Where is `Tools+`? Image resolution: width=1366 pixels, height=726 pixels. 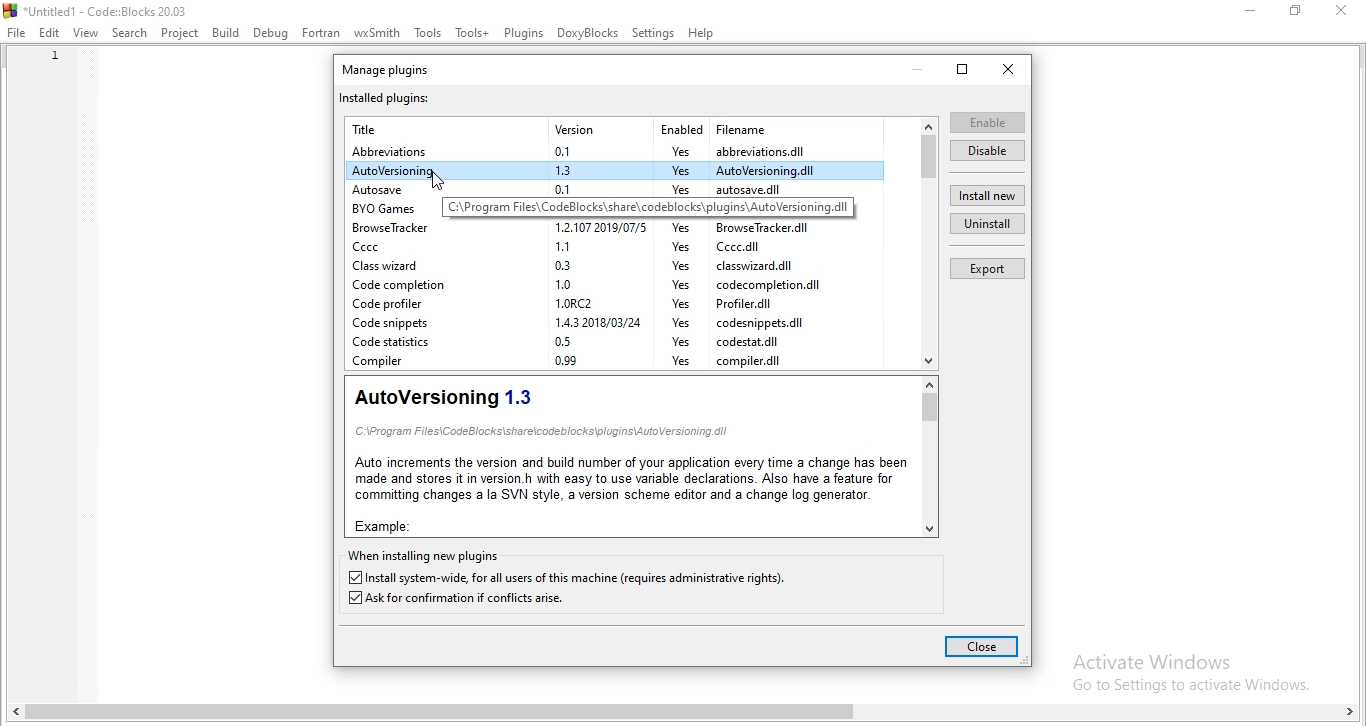 Tools+ is located at coordinates (472, 31).